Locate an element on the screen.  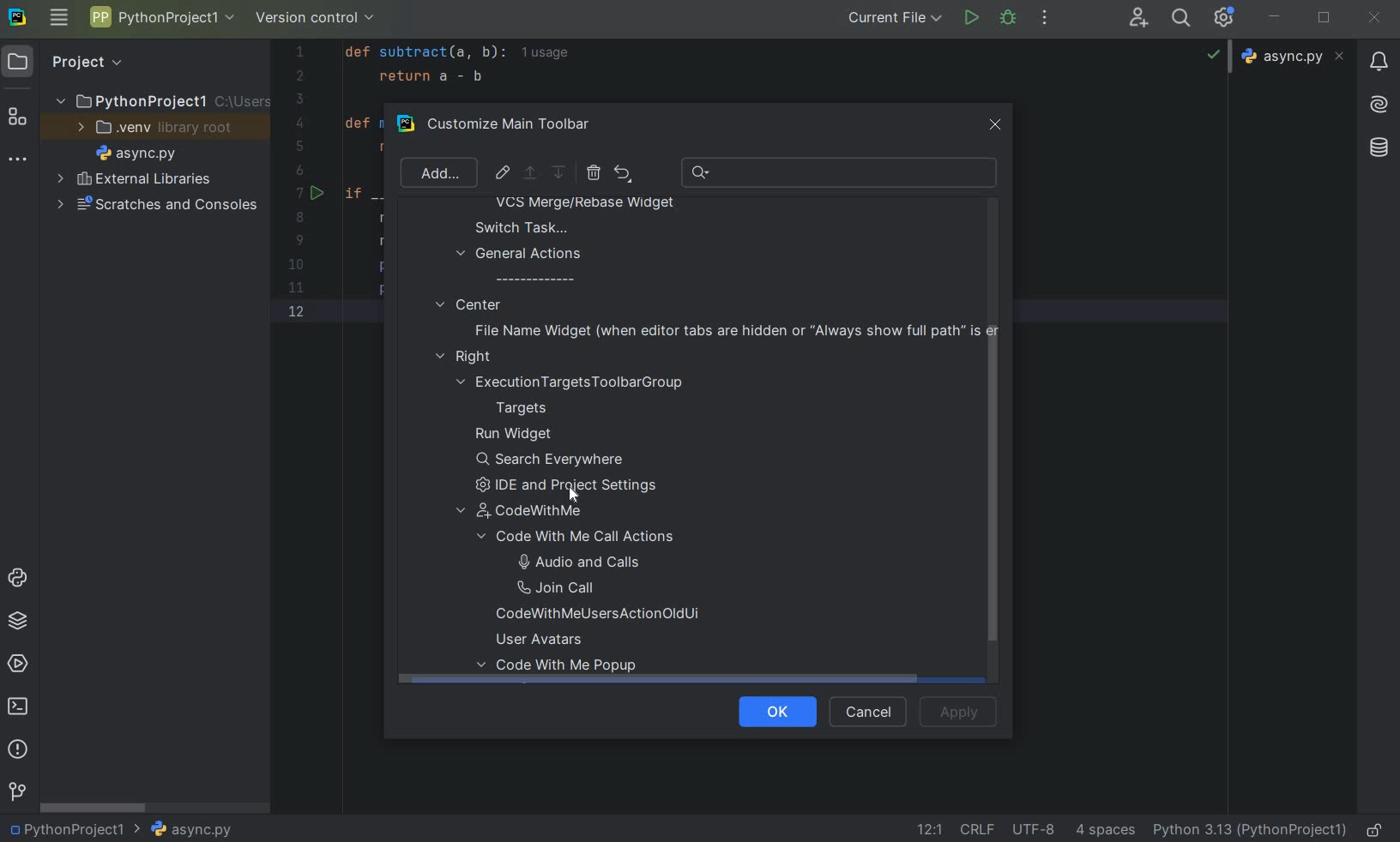
file name widget is located at coordinates (732, 330).